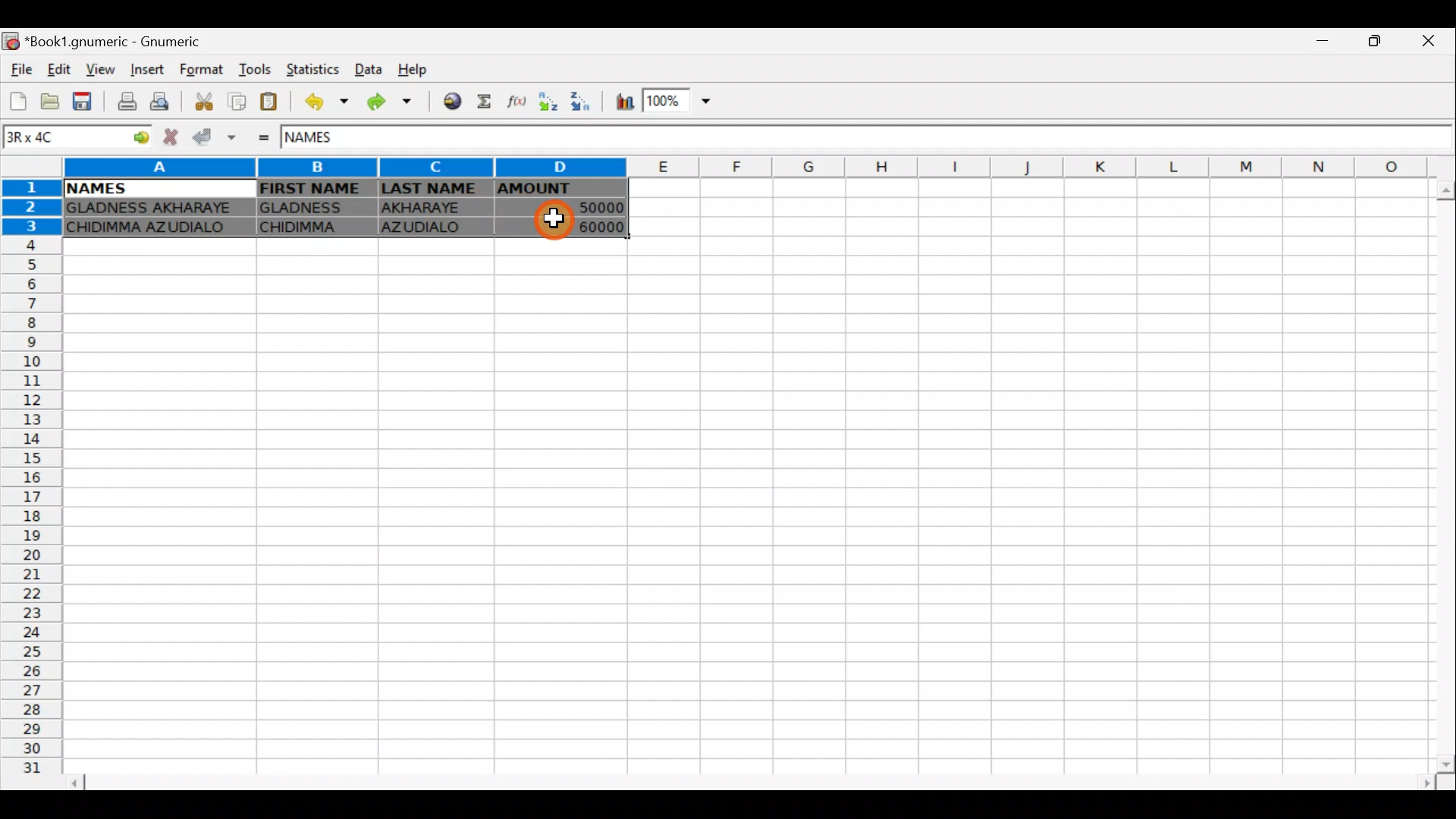 The width and height of the screenshot is (1456, 819). Describe the element at coordinates (434, 210) in the screenshot. I see `AKHARAYE` at that location.